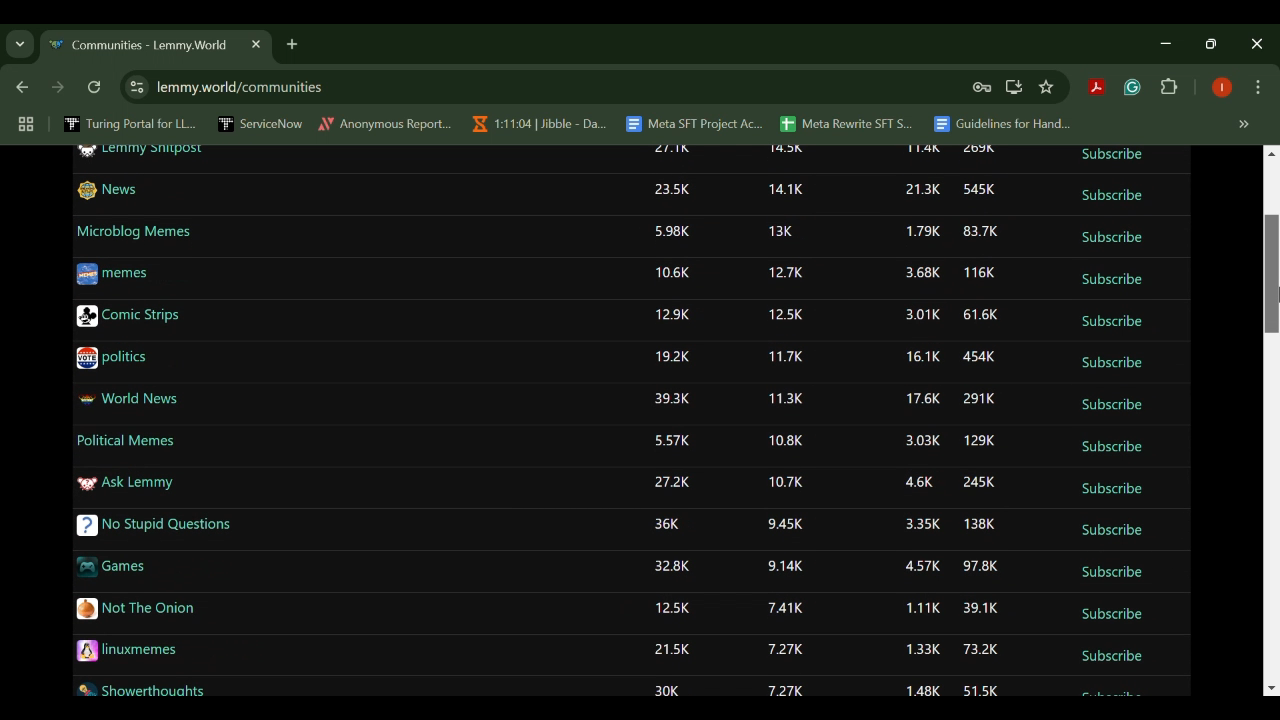 The image size is (1280, 720). I want to click on 21.3K, so click(921, 189).